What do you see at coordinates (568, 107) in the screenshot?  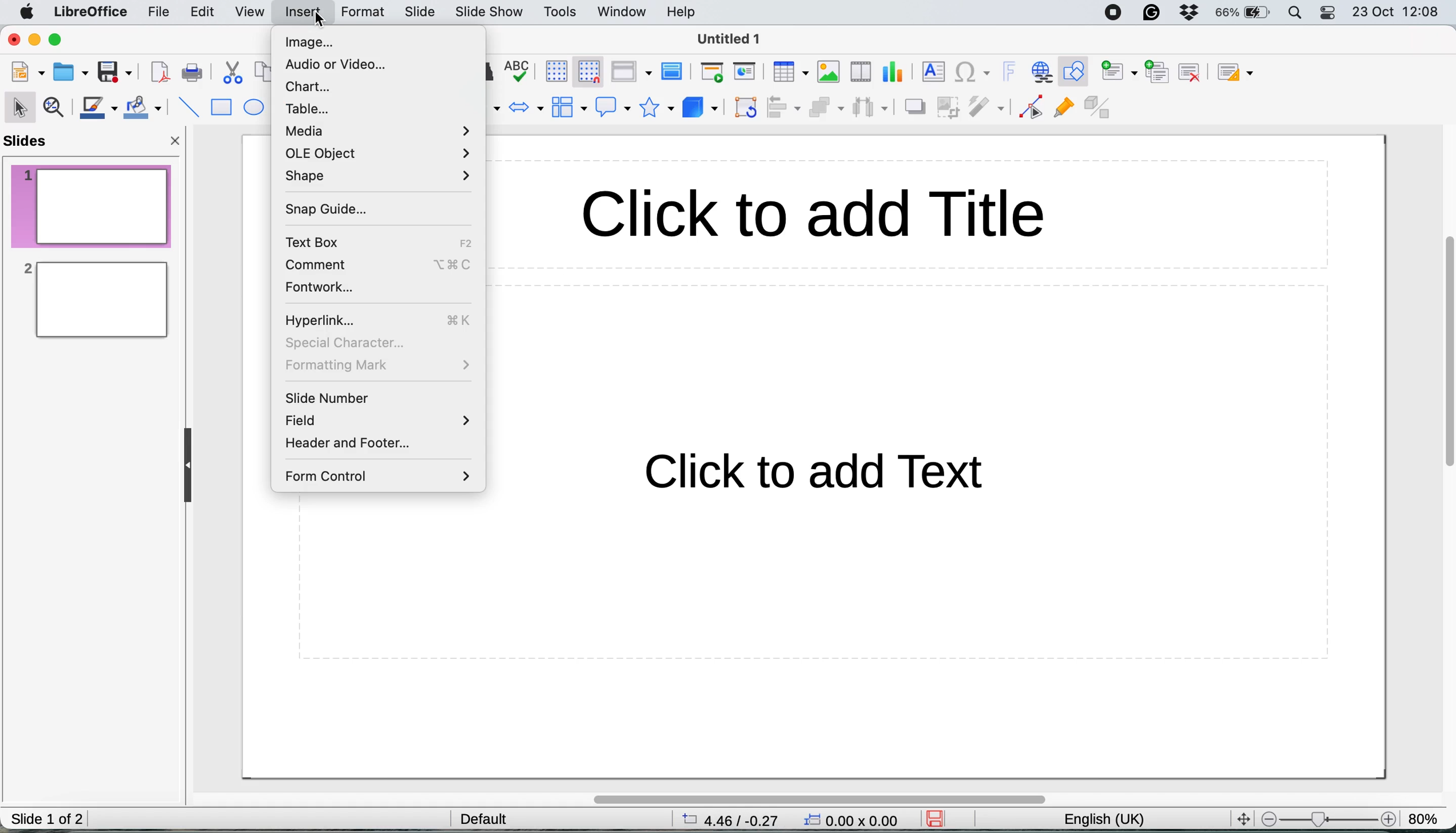 I see `flowchart` at bounding box center [568, 107].